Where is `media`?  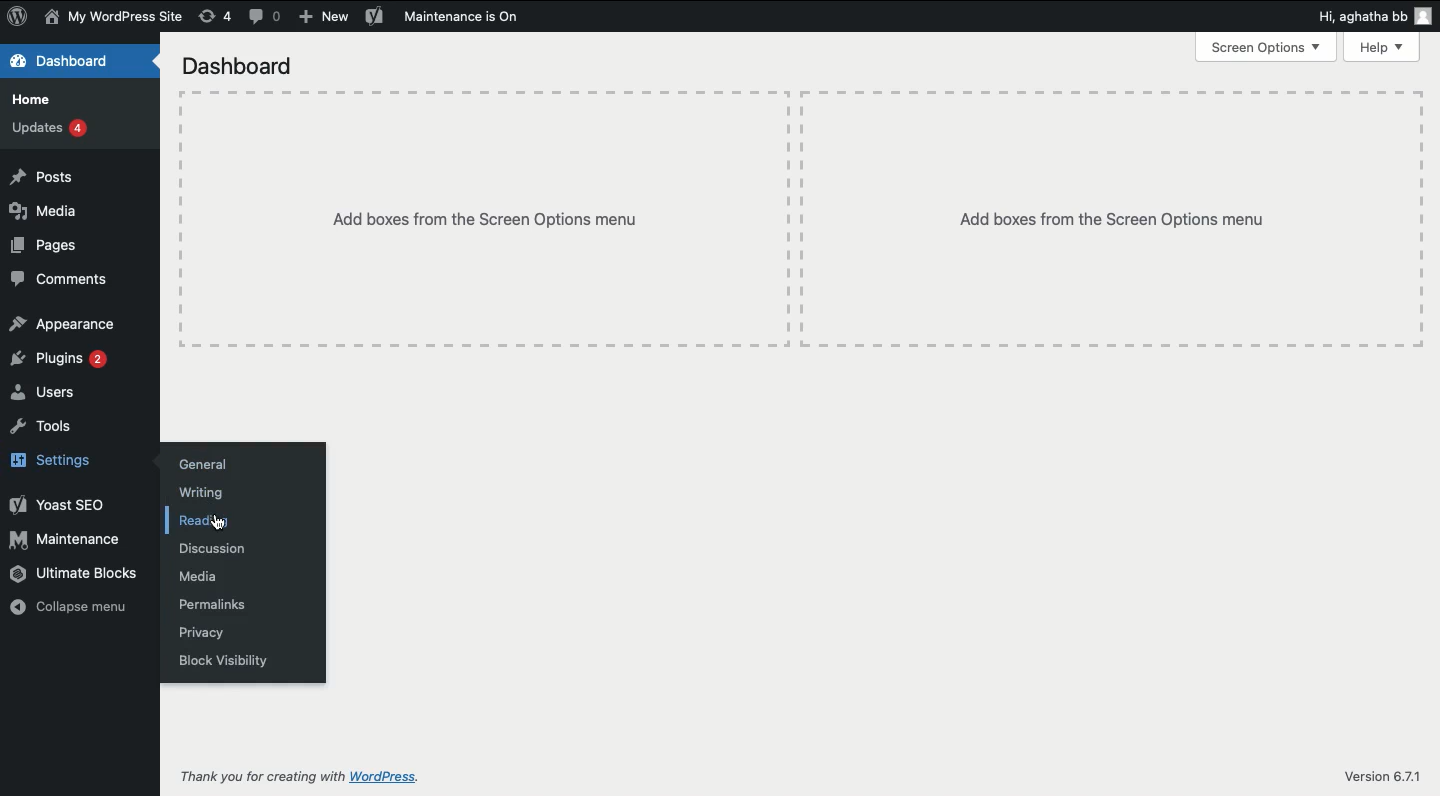 media is located at coordinates (49, 212).